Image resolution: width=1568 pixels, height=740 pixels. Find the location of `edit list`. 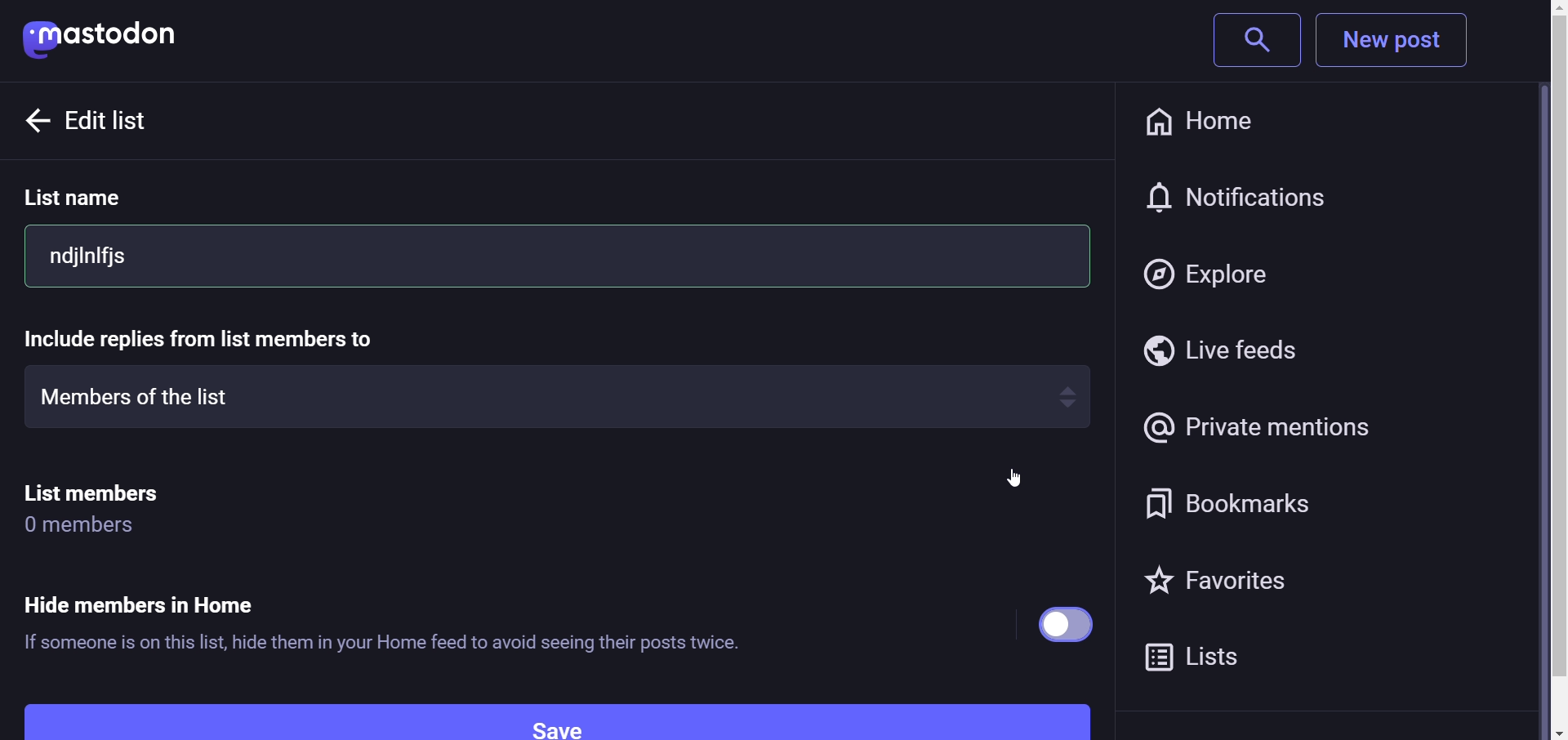

edit list is located at coordinates (158, 122).